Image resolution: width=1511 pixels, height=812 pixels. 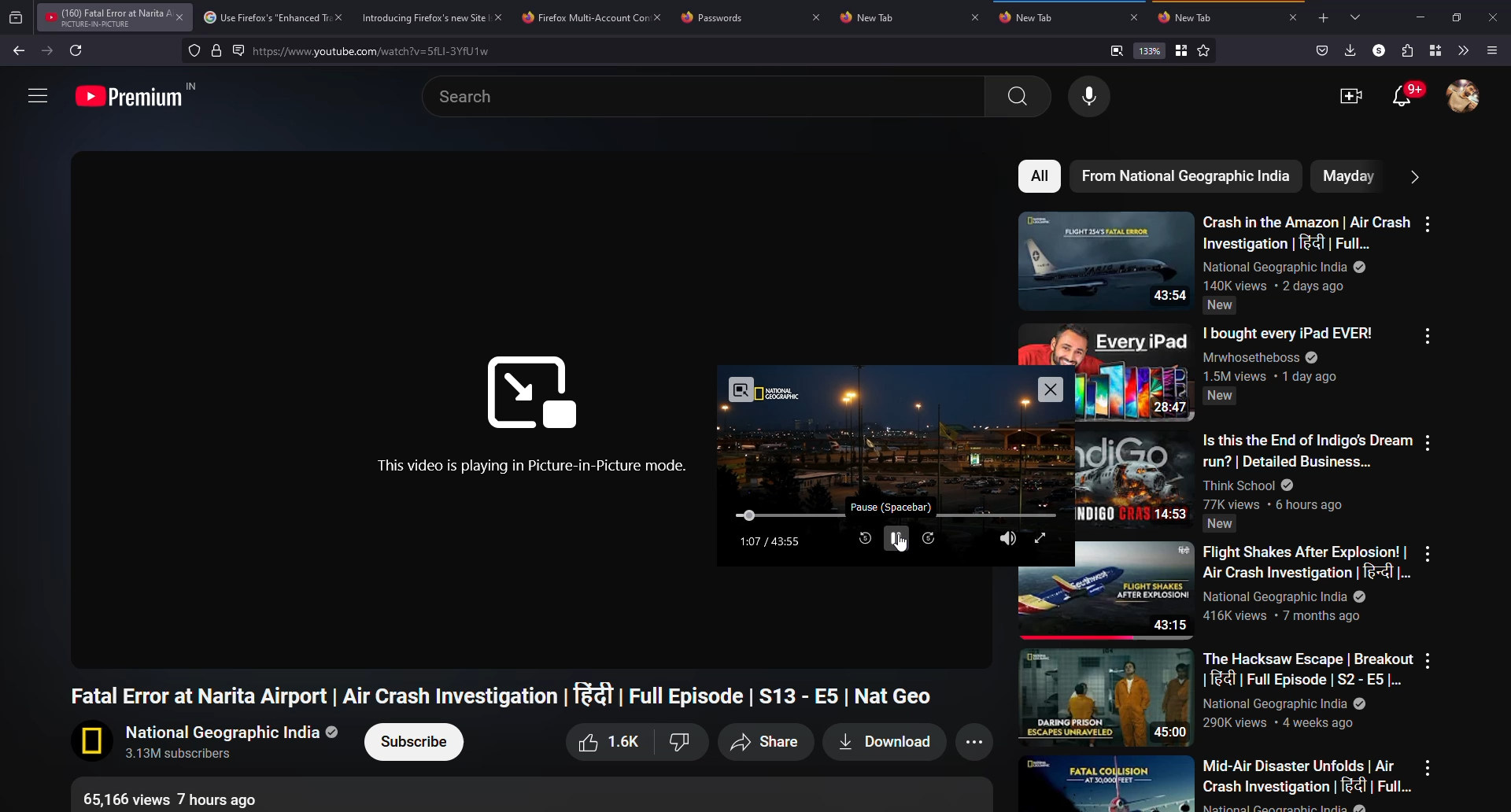 What do you see at coordinates (1106, 260) in the screenshot?
I see `Video thumbnail` at bounding box center [1106, 260].